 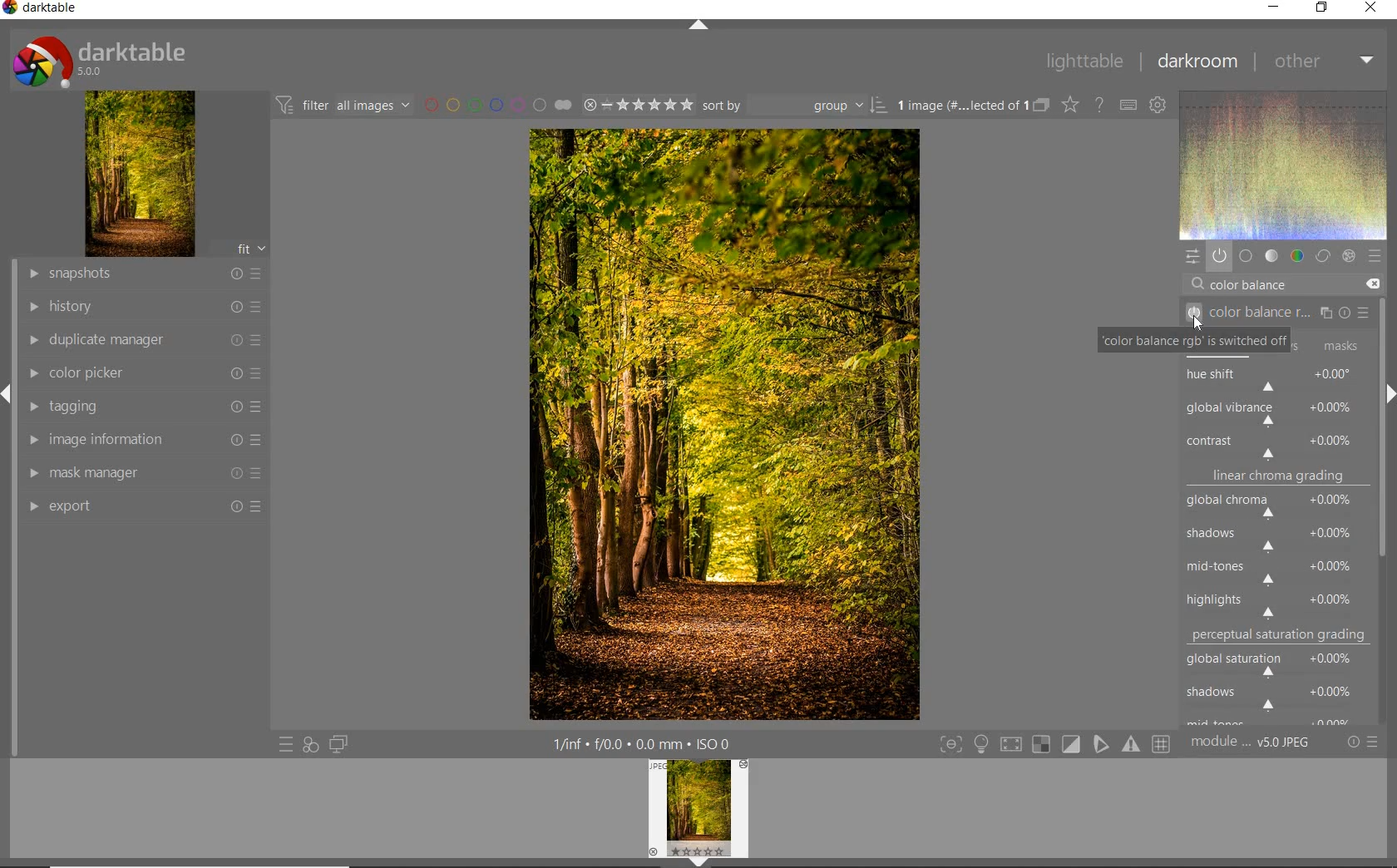 I want to click on other, so click(x=1325, y=62).